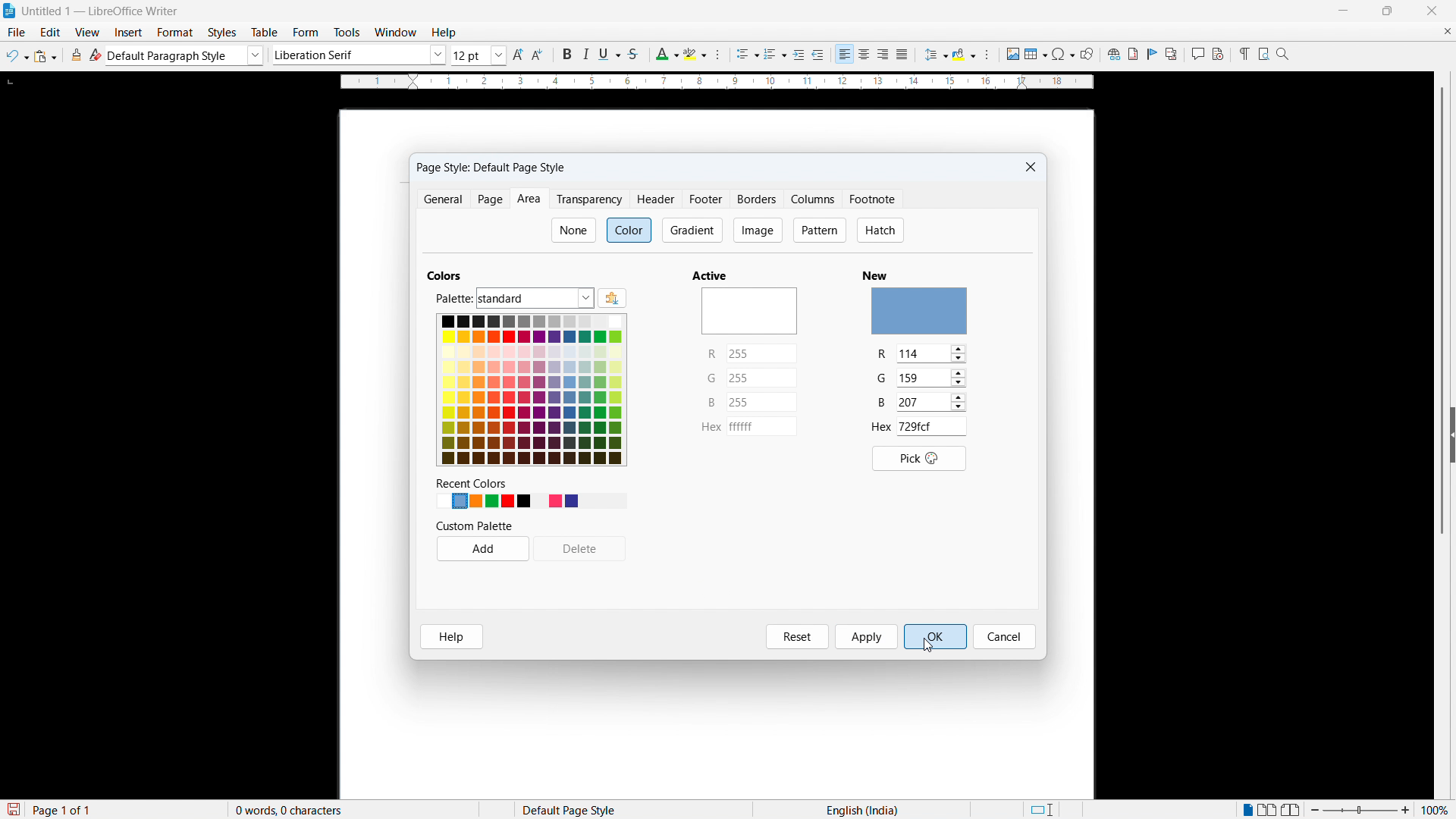 The image size is (1456, 819). What do you see at coordinates (930, 353) in the screenshot?
I see `set R` at bounding box center [930, 353].